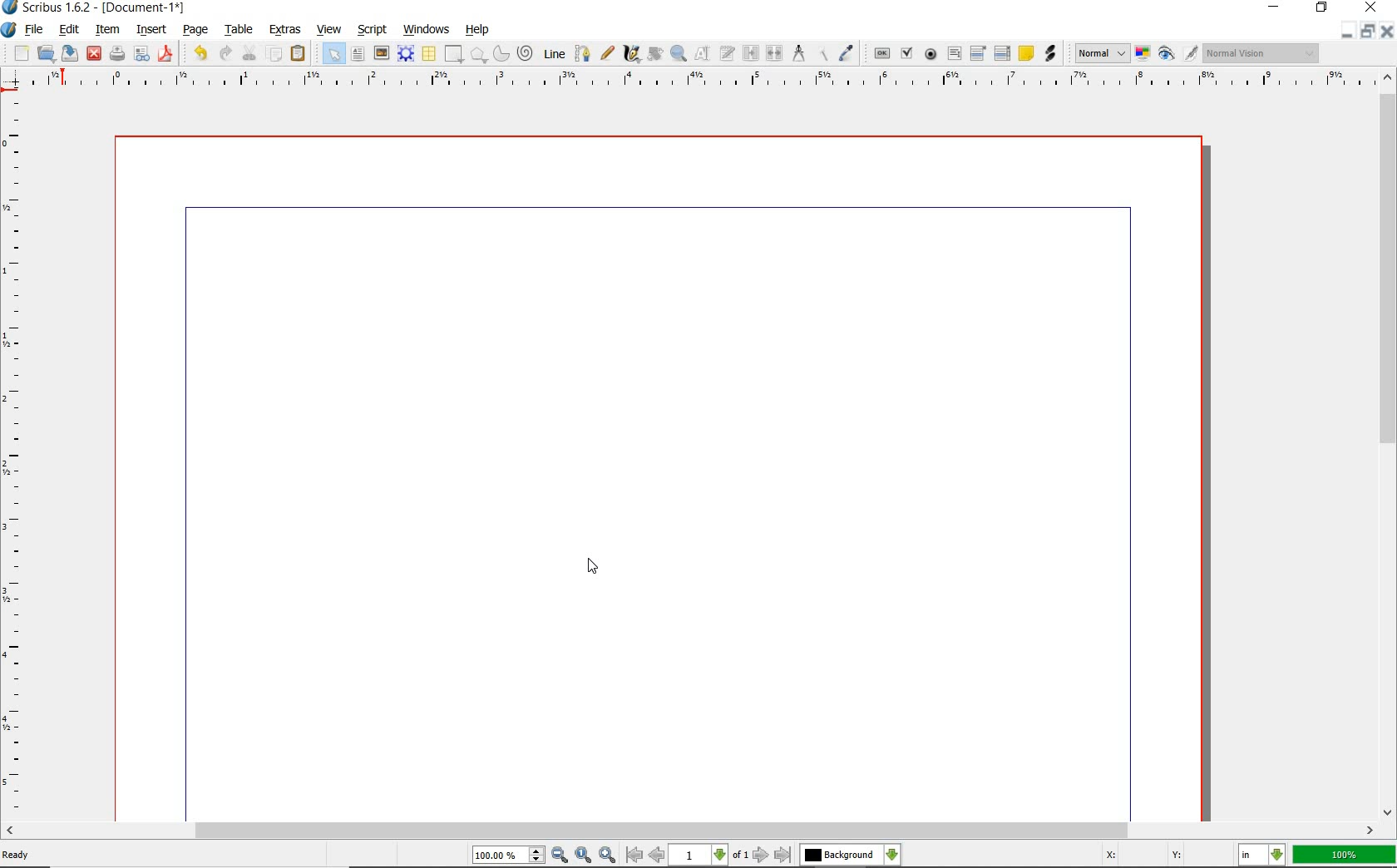 This screenshot has width=1397, height=868. What do you see at coordinates (708, 855) in the screenshot?
I see `move to next or previous page` at bounding box center [708, 855].